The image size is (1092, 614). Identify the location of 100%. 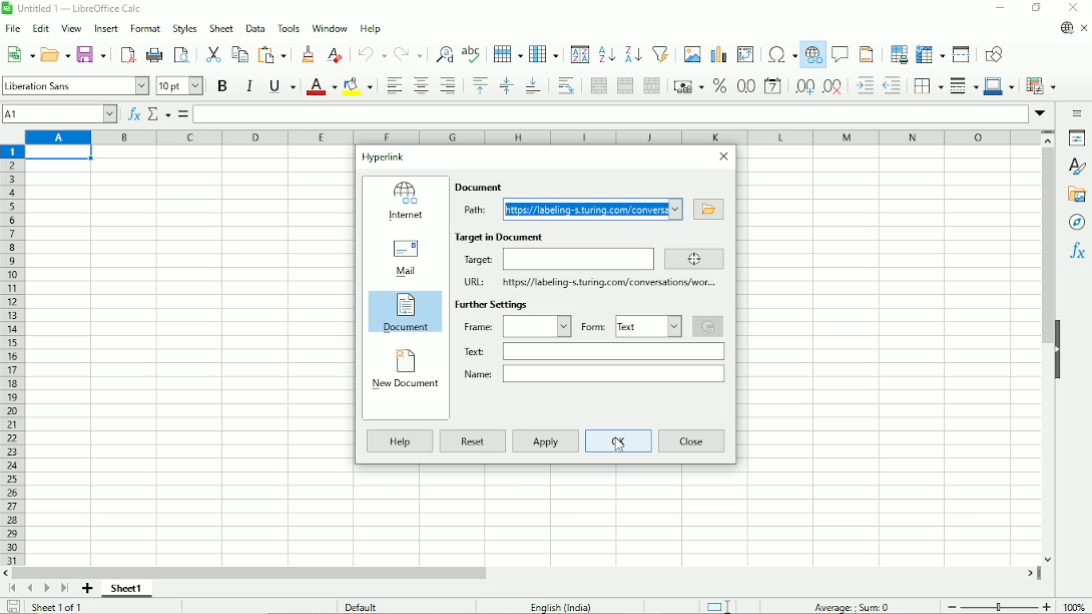
(1078, 606).